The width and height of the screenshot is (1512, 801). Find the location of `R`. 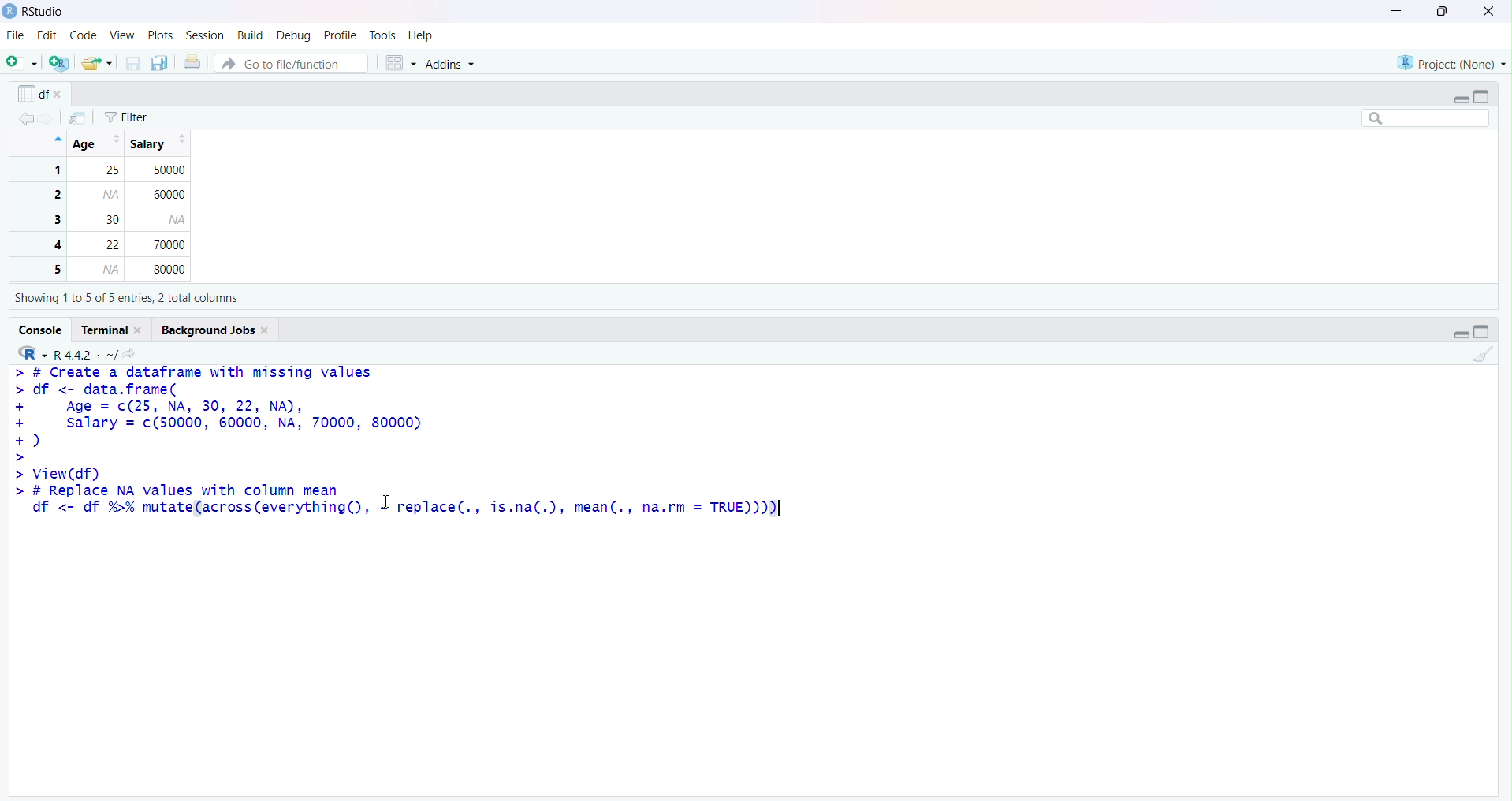

R is located at coordinates (29, 351).